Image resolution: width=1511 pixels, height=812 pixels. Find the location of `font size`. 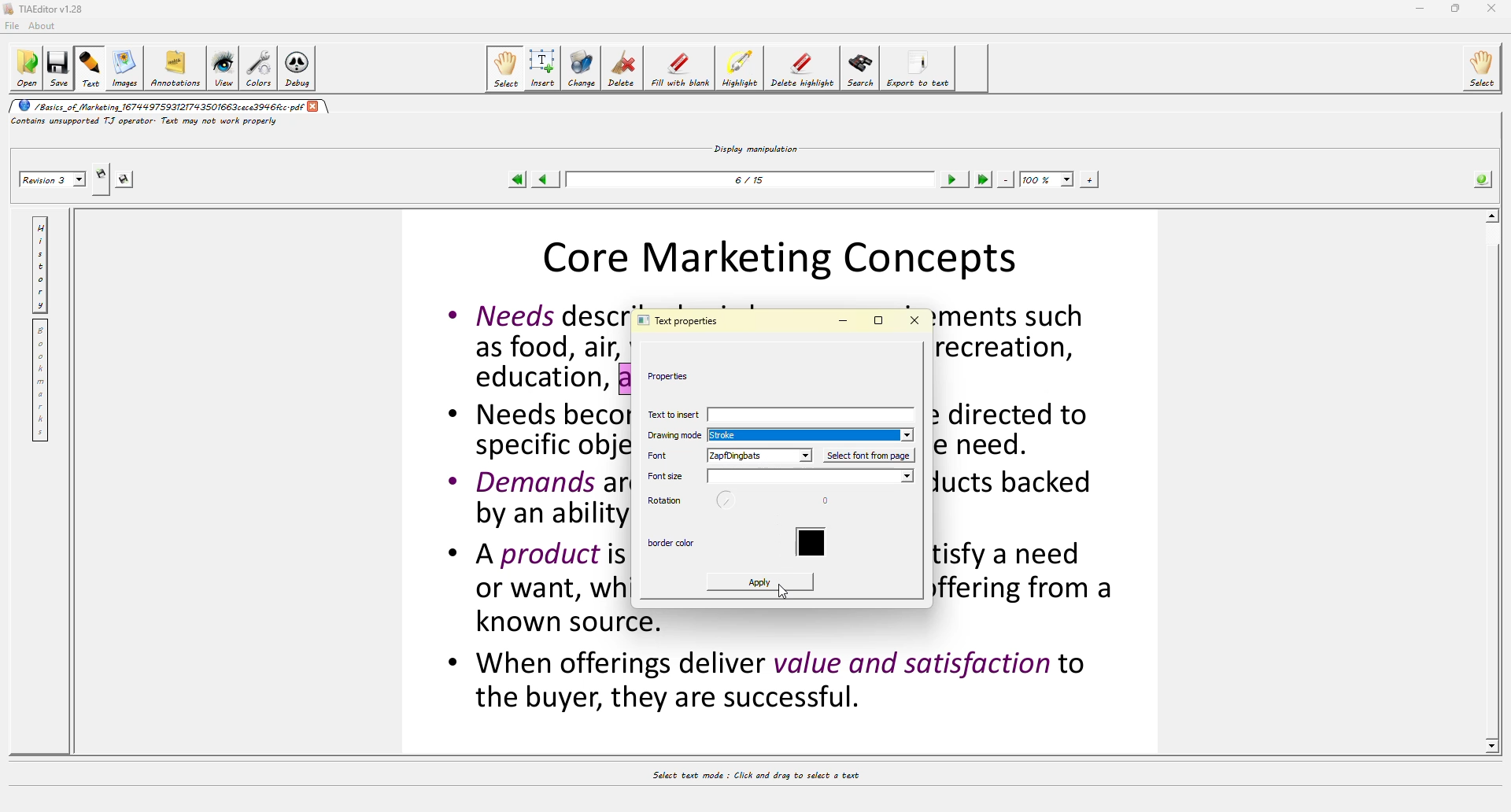

font size is located at coordinates (808, 477).